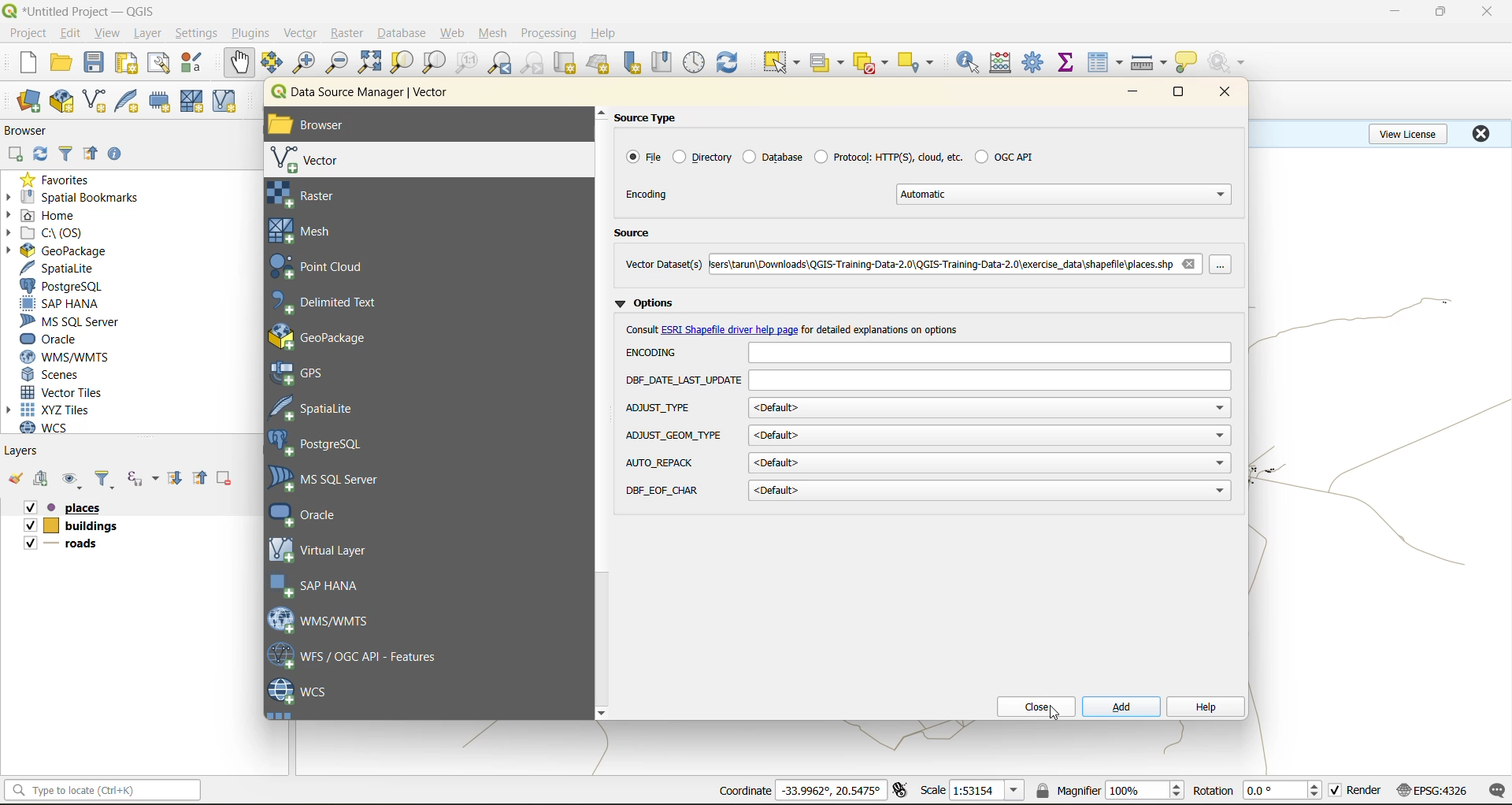 The width and height of the screenshot is (1512, 805). I want to click on source  type, so click(654, 118).